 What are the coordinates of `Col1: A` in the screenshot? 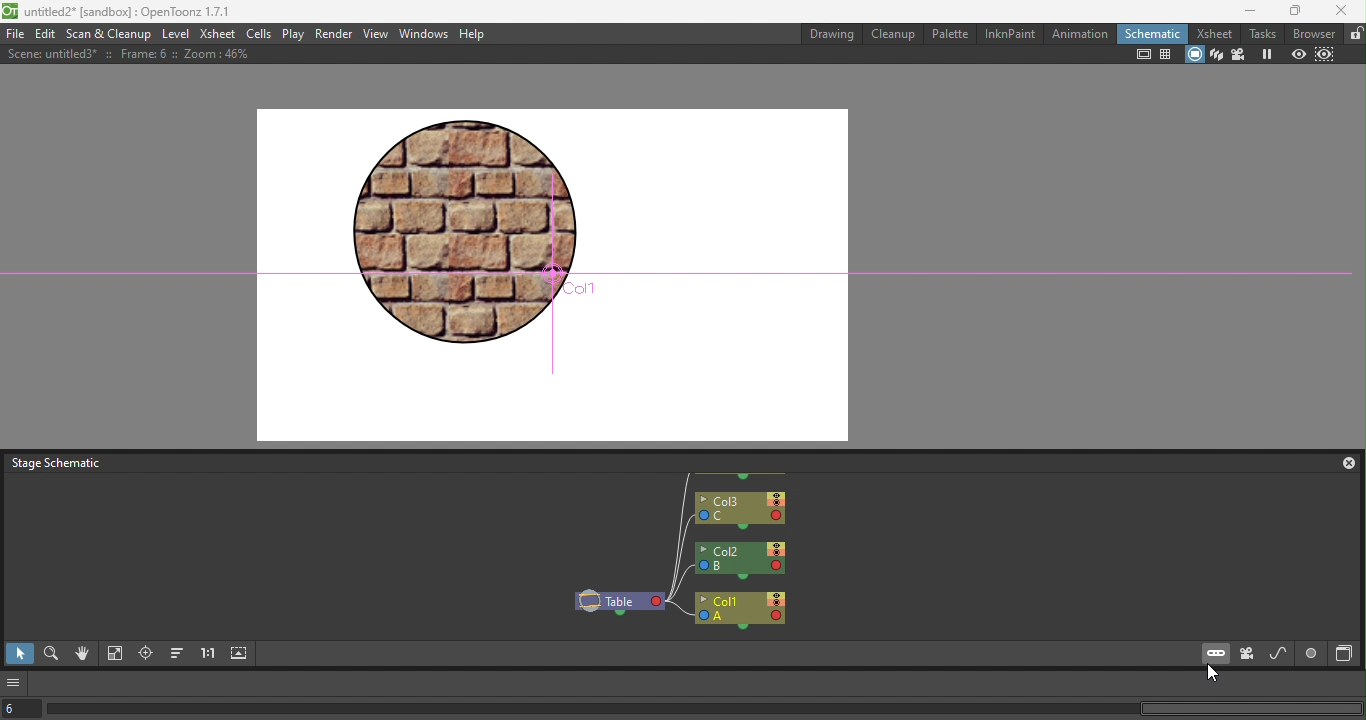 It's located at (741, 611).